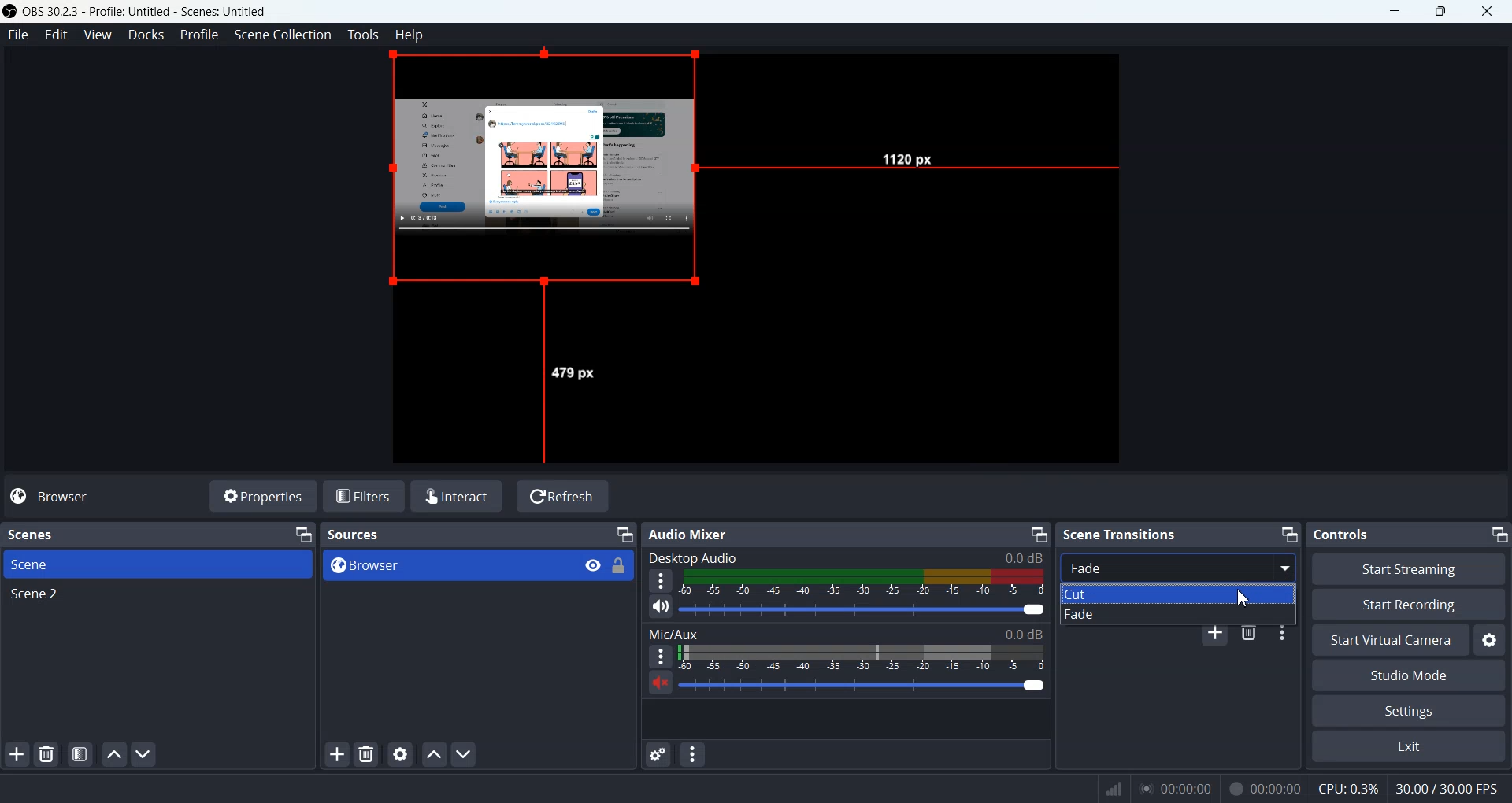 The height and width of the screenshot is (803, 1512). Describe the element at coordinates (434, 754) in the screenshot. I see `Move source up` at that location.